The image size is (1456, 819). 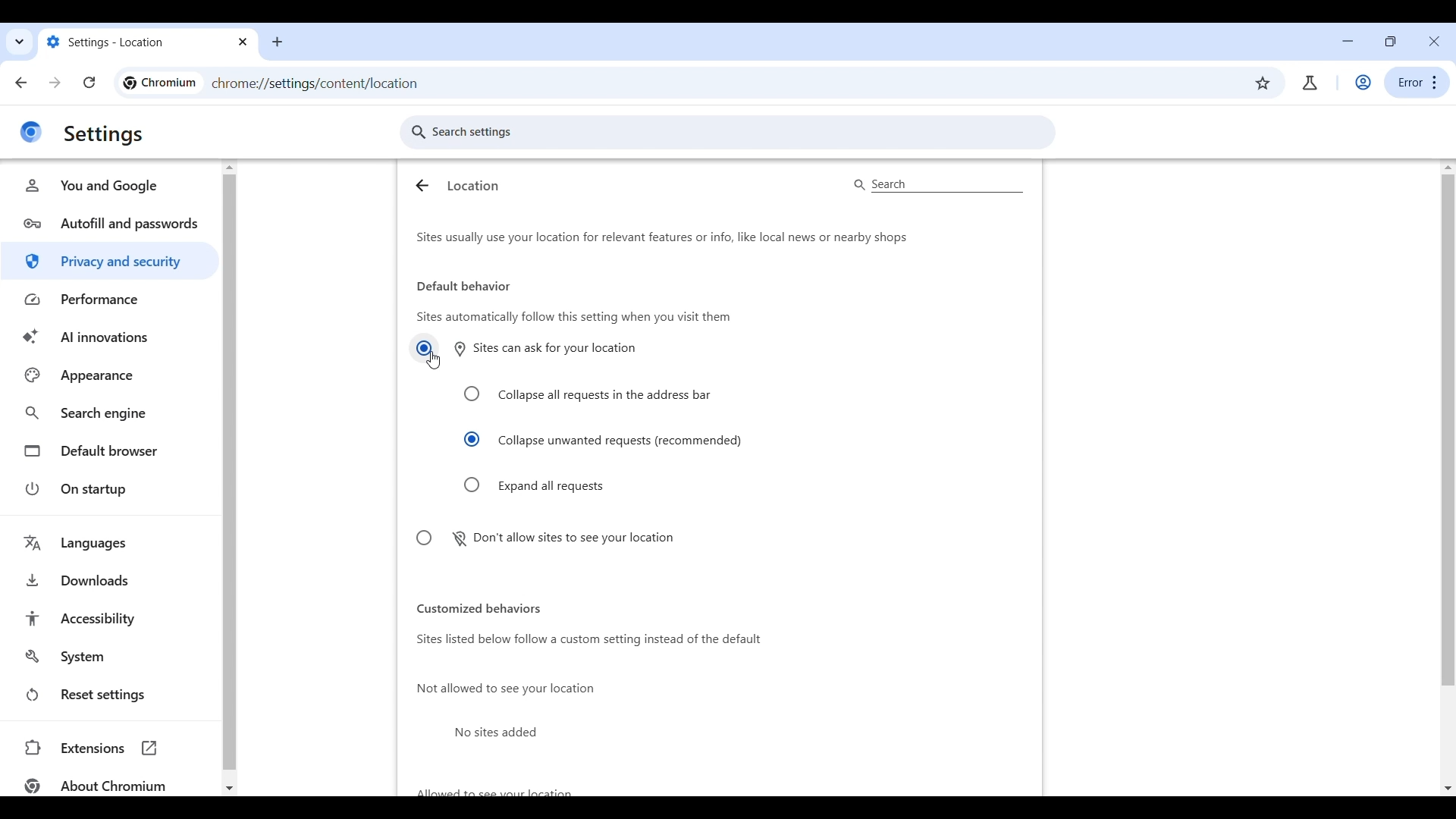 What do you see at coordinates (230, 789) in the screenshot?
I see `Quick slide to bottom` at bounding box center [230, 789].